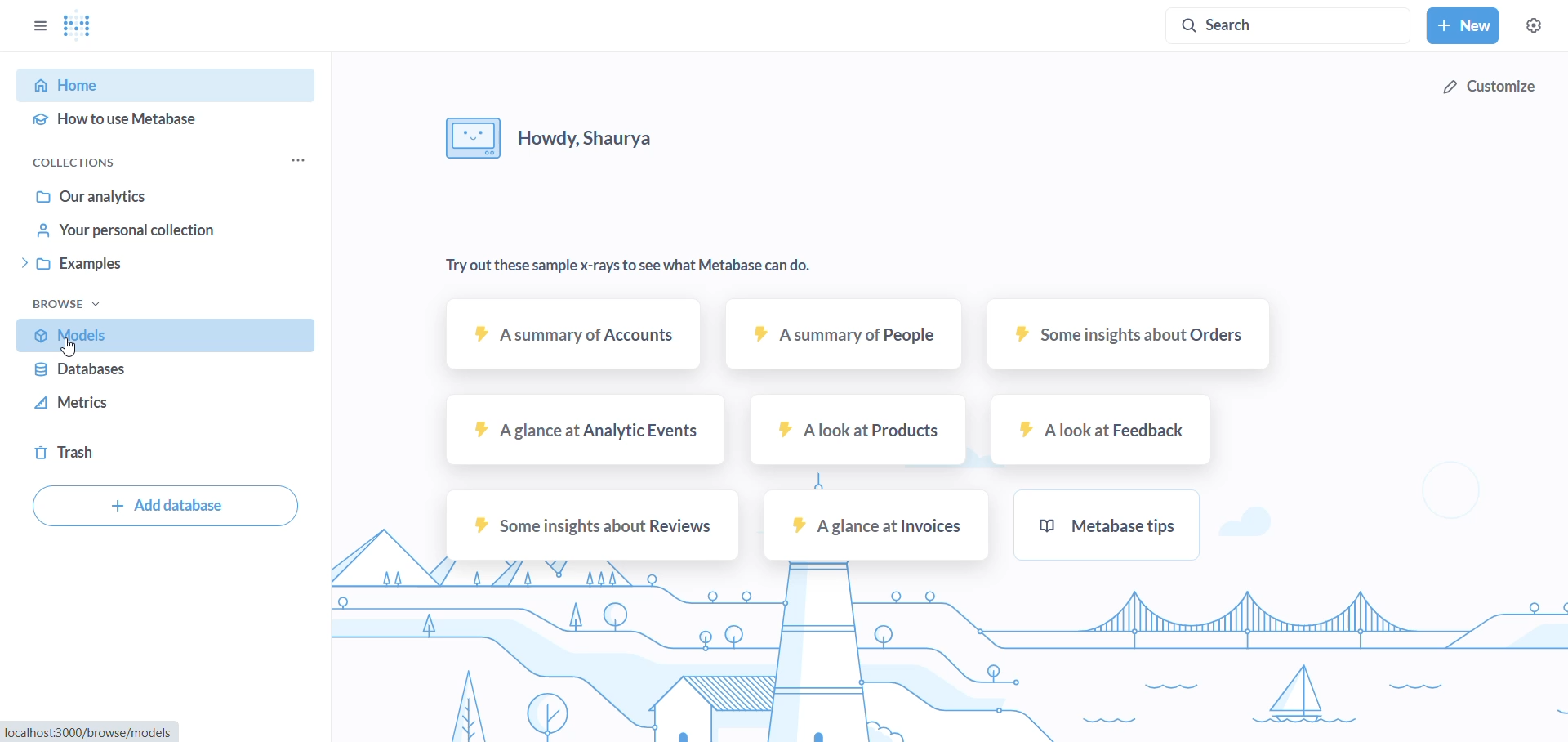  I want to click on Models, so click(165, 334).